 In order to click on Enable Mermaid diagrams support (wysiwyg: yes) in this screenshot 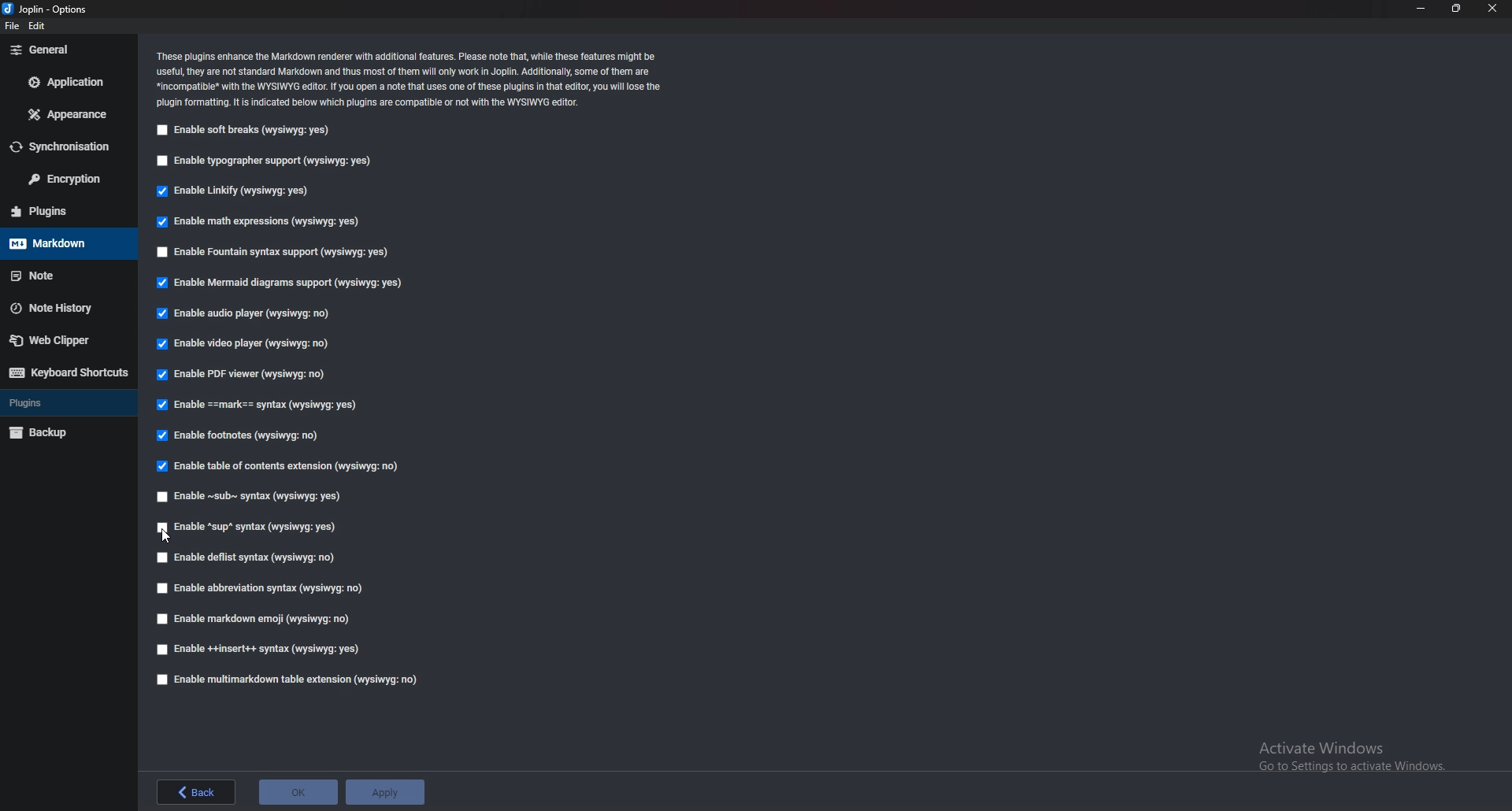, I will do `click(279, 281)`.